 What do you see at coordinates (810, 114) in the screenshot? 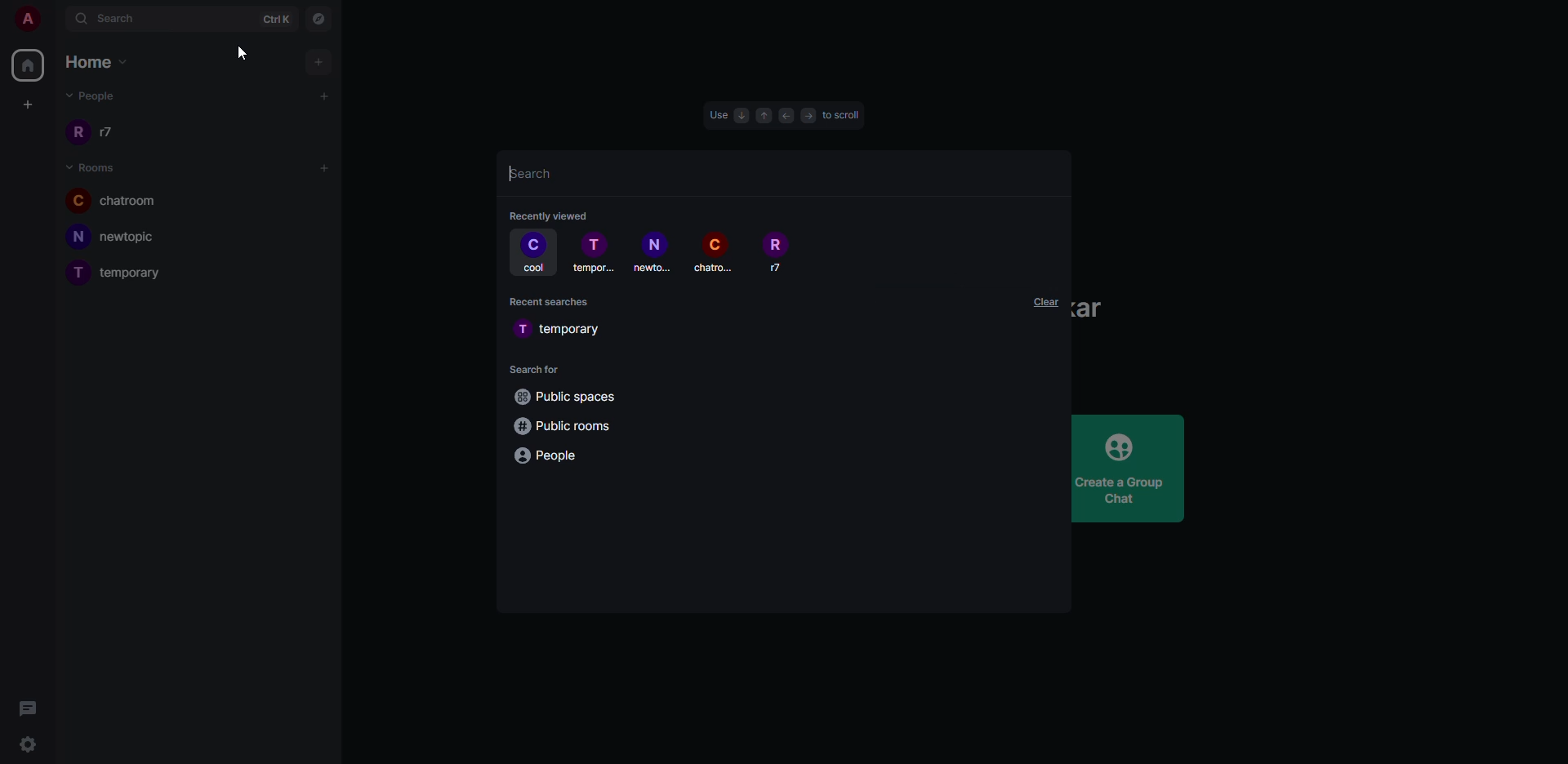
I see `FORWARD` at bounding box center [810, 114].